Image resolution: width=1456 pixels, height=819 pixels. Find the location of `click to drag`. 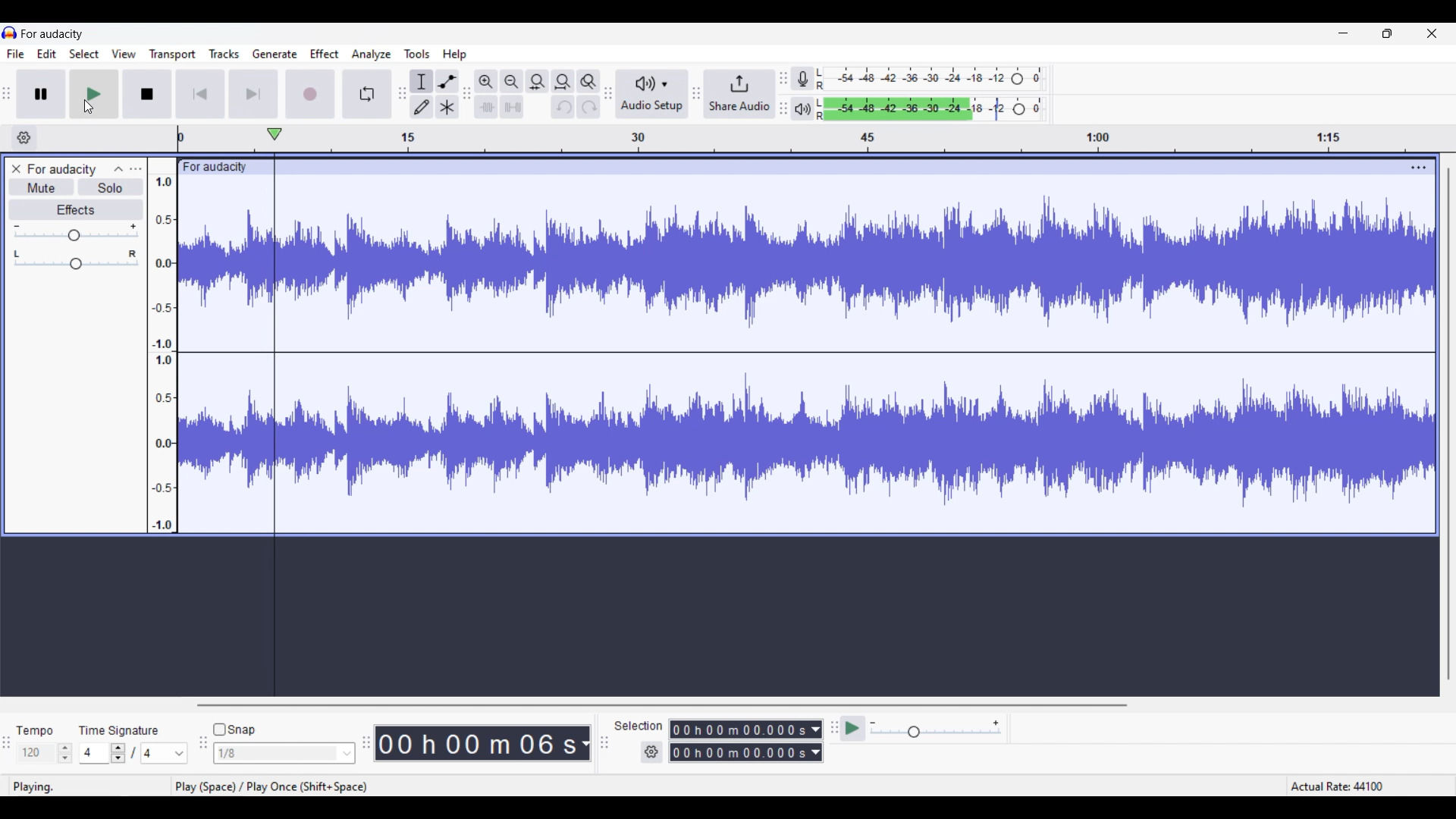

click to drag is located at coordinates (790, 167).